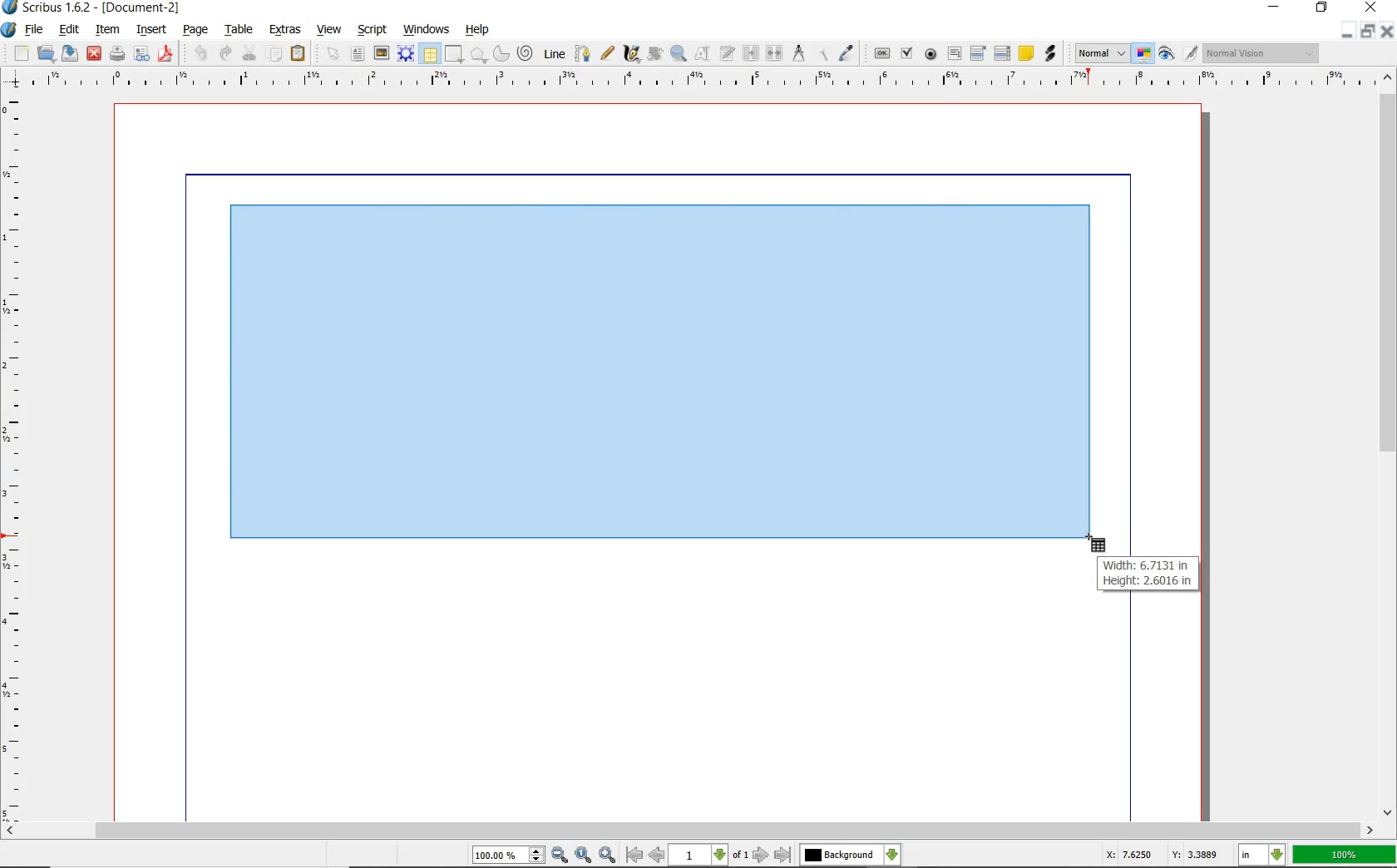  What do you see at coordinates (1345, 853) in the screenshot?
I see `100%` at bounding box center [1345, 853].